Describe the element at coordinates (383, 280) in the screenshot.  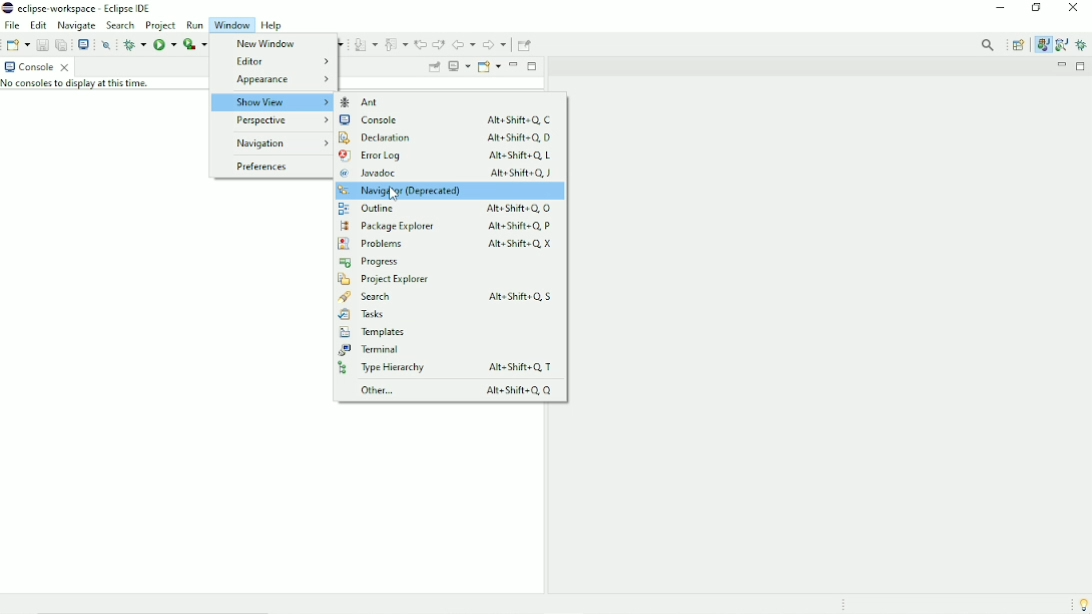
I see `Project Explorer` at that location.